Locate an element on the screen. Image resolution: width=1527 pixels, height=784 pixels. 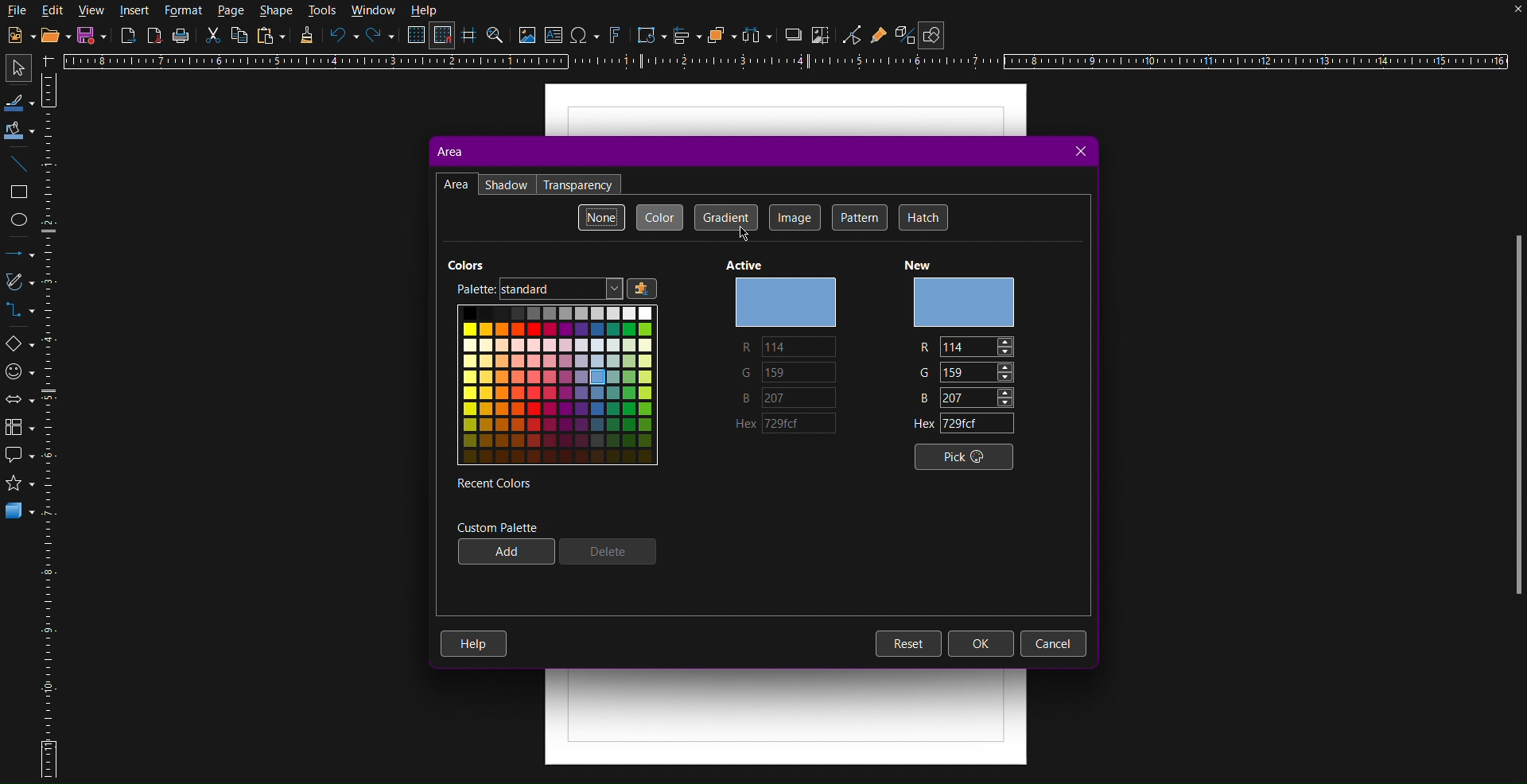
Lines and Arrows is located at coordinates (19, 254).